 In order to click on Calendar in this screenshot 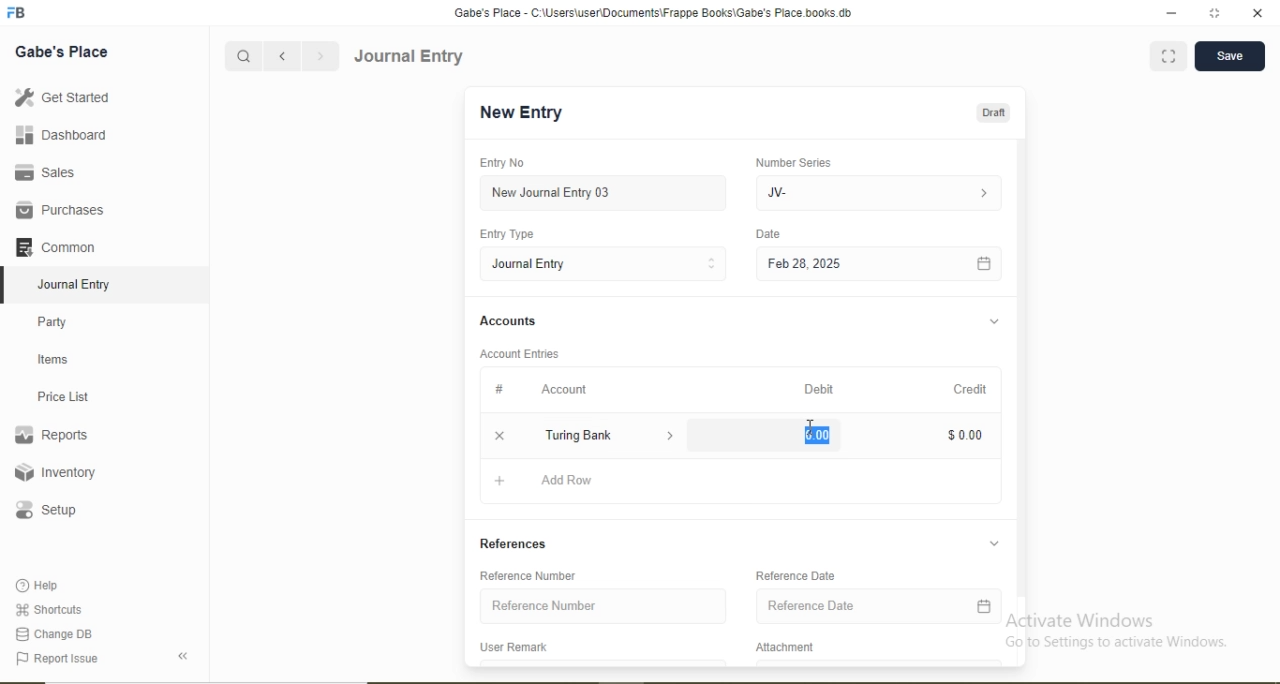, I will do `click(984, 265)`.